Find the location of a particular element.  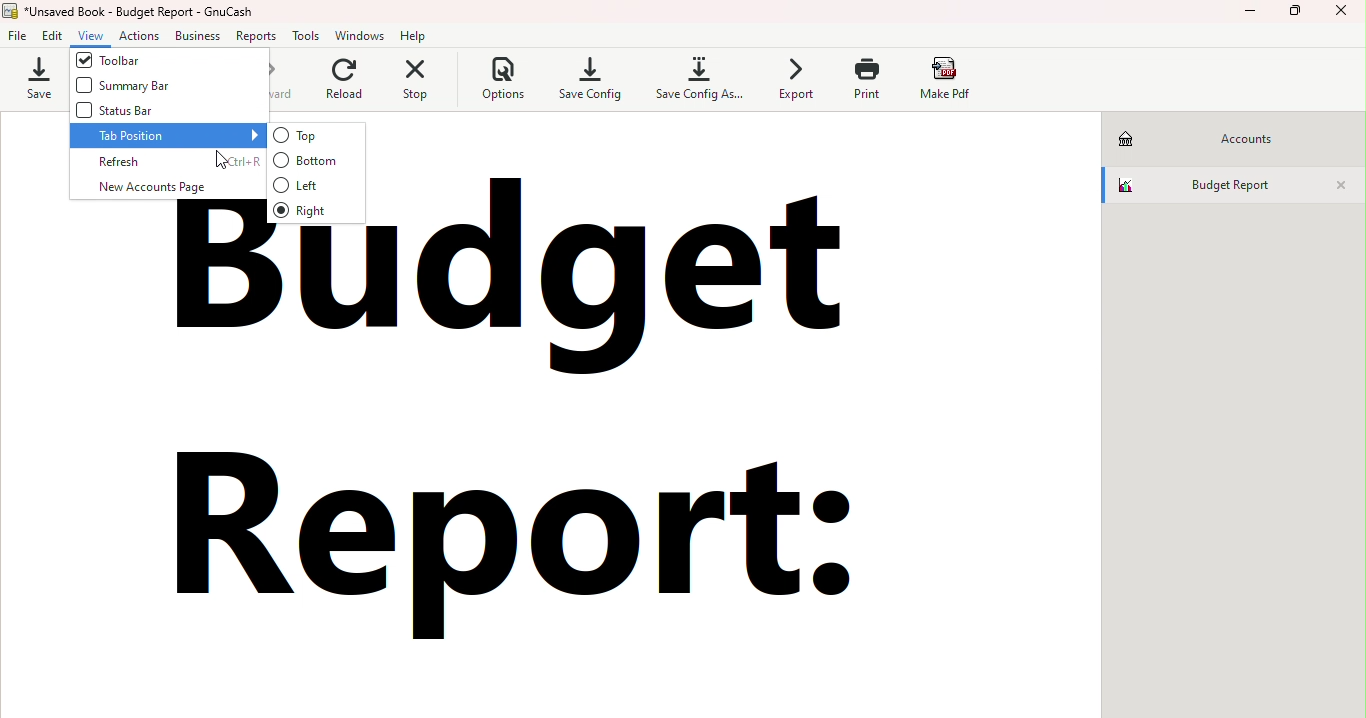

Windows is located at coordinates (357, 35).